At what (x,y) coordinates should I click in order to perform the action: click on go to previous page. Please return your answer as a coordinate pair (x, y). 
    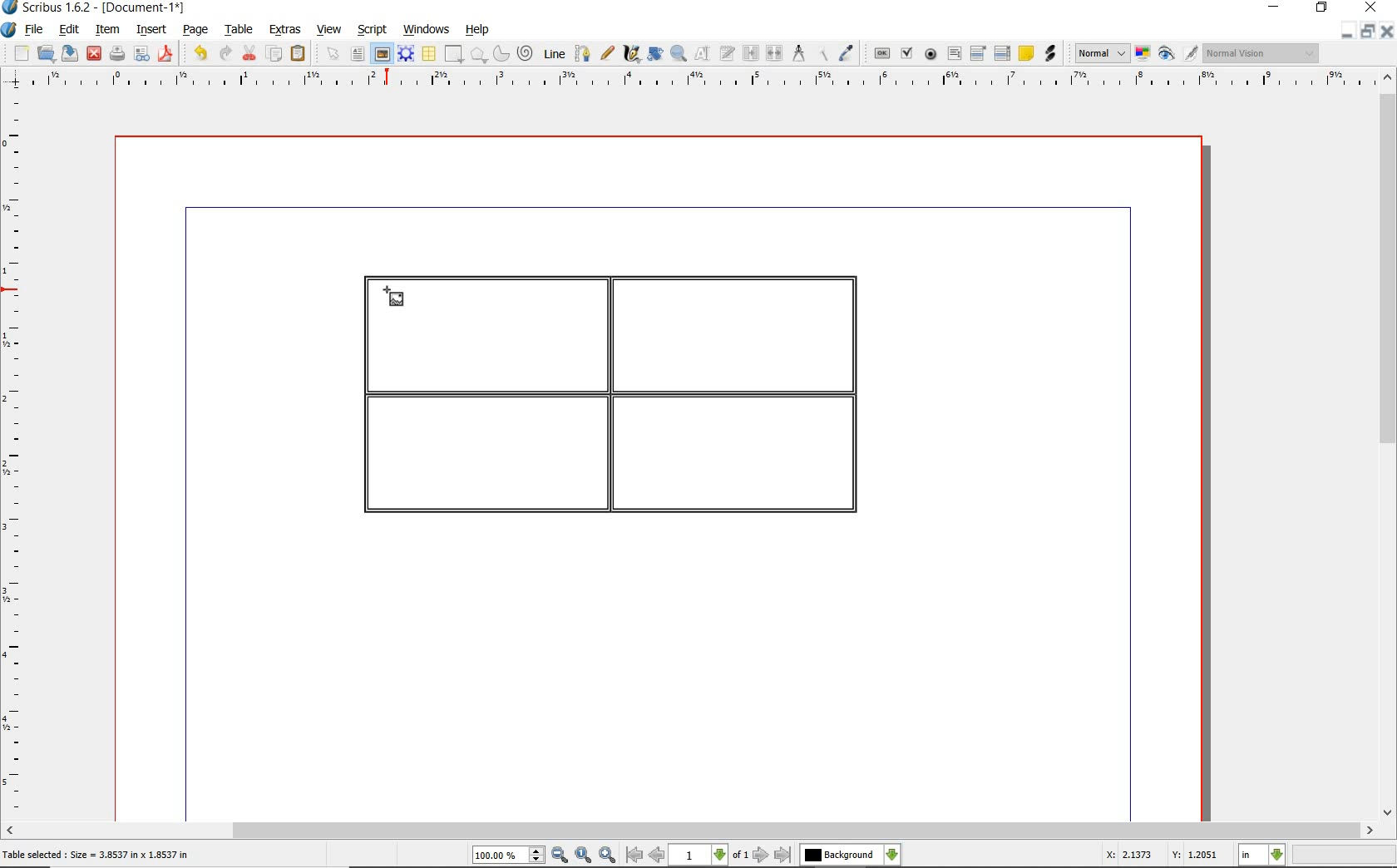
    Looking at the image, I should click on (656, 856).